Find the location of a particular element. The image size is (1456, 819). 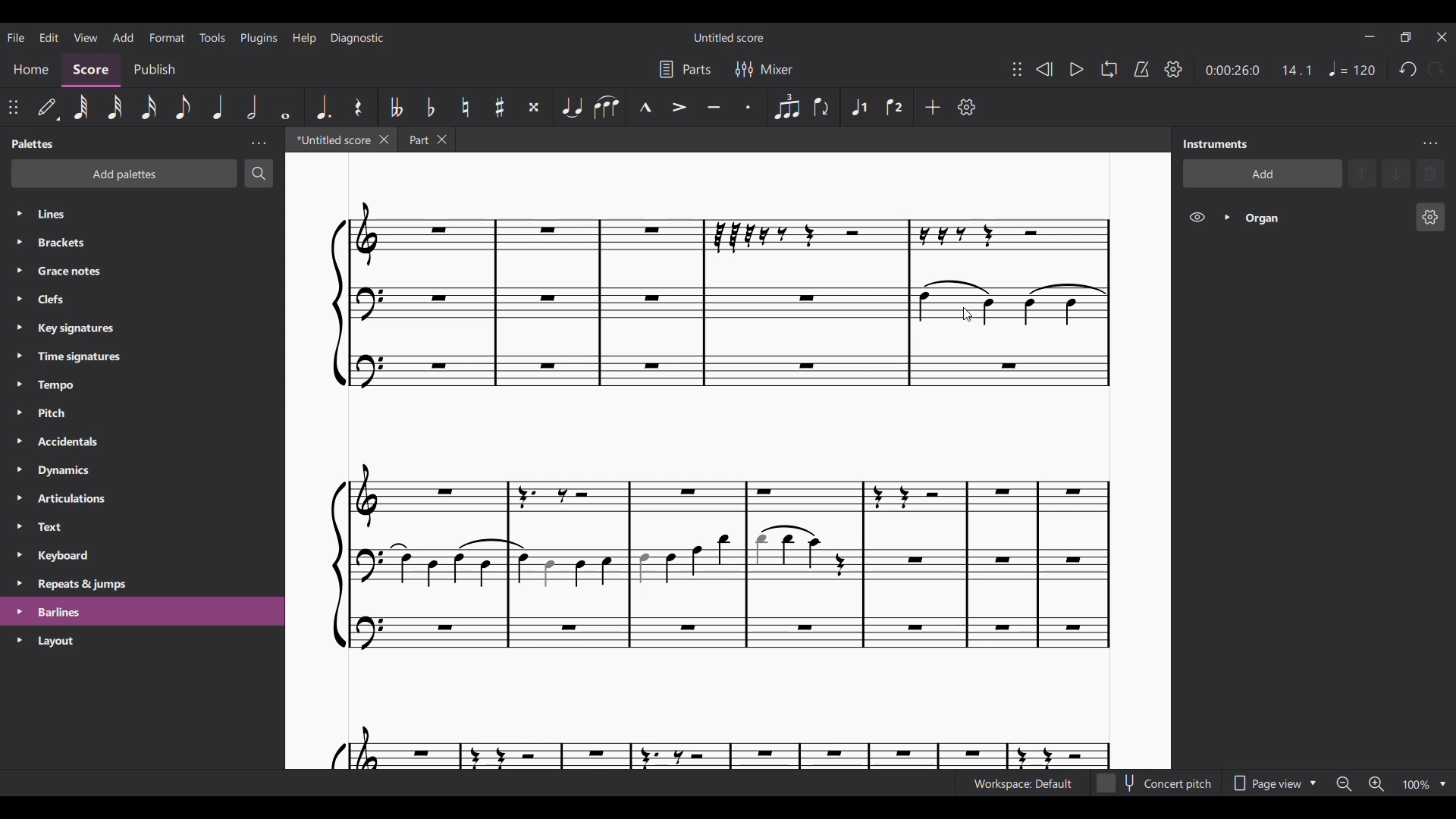

Current instrument is located at coordinates (1323, 218).